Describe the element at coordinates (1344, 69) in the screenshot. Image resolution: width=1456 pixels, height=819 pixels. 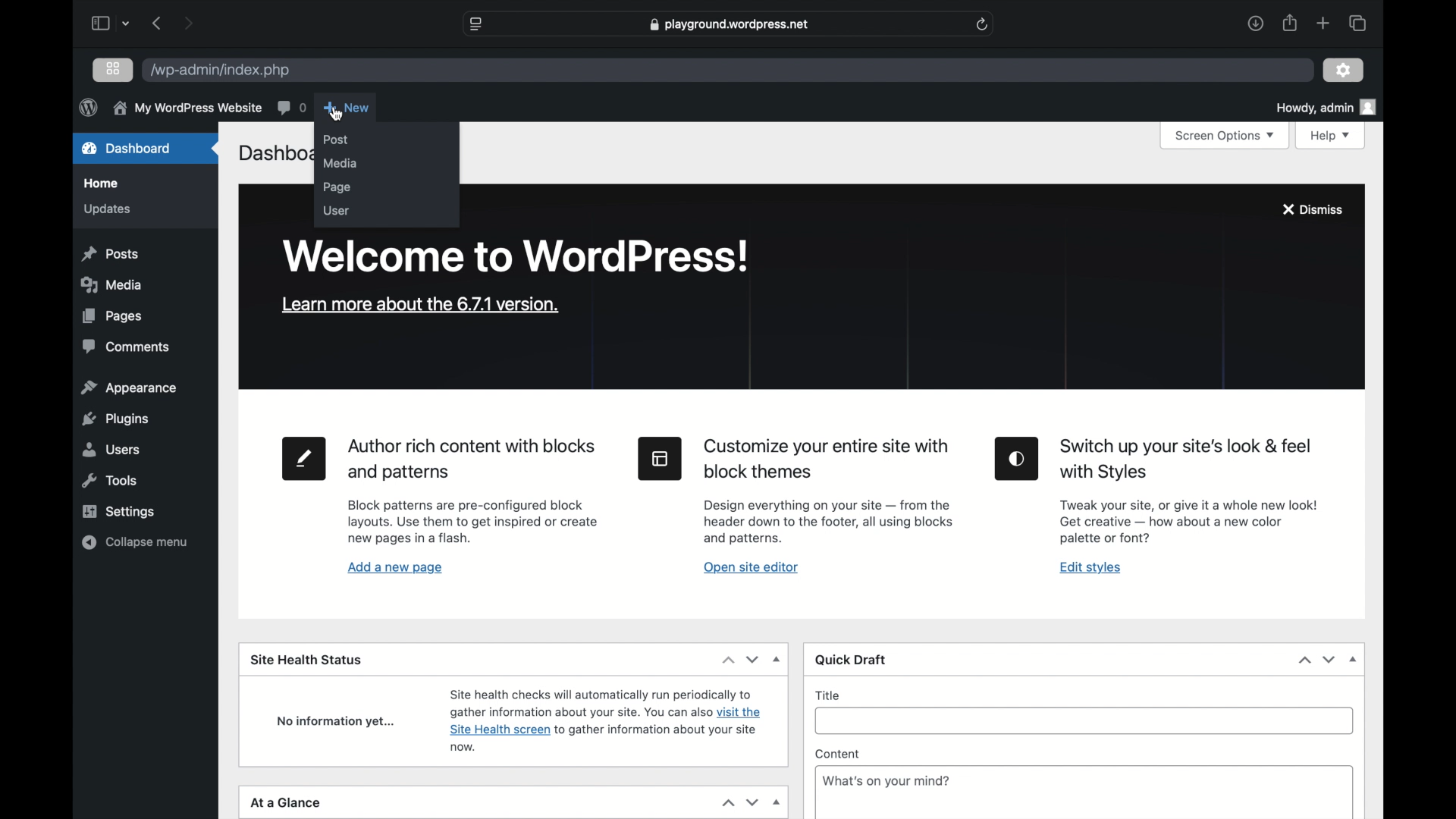
I see `settings` at that location.